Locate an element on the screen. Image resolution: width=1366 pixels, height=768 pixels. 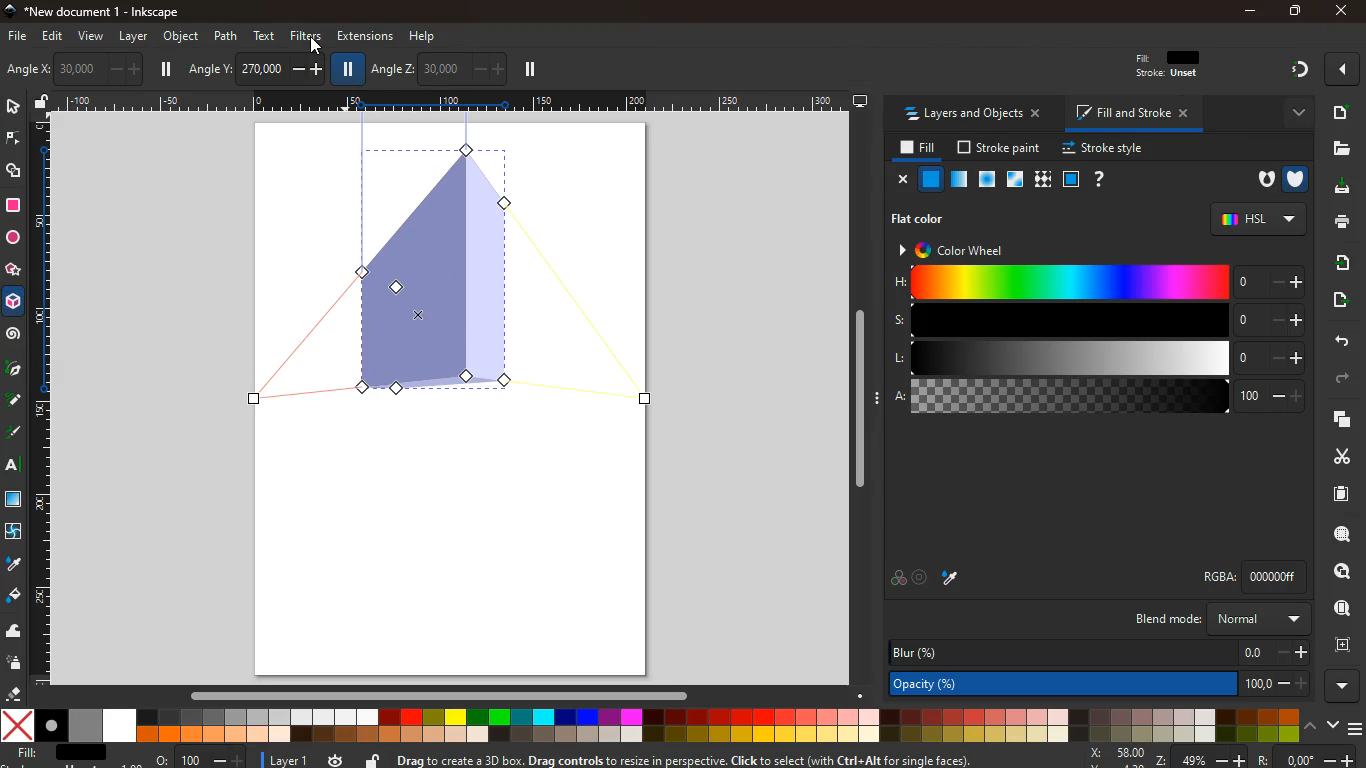
stroke style is located at coordinates (1100, 149).